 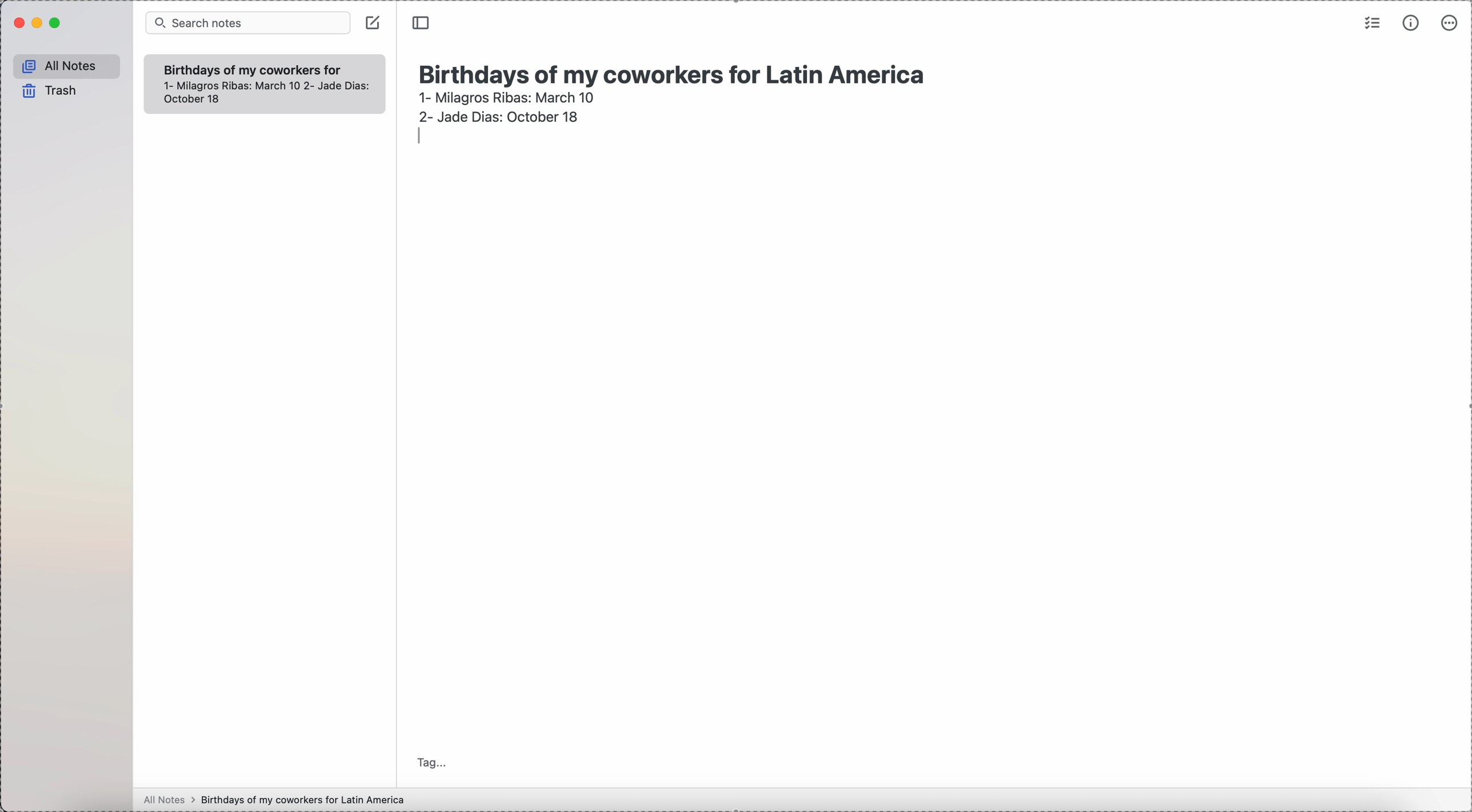 What do you see at coordinates (251, 69) in the screenshot?
I see `Birthdays of my coworkers for Latin America` at bounding box center [251, 69].